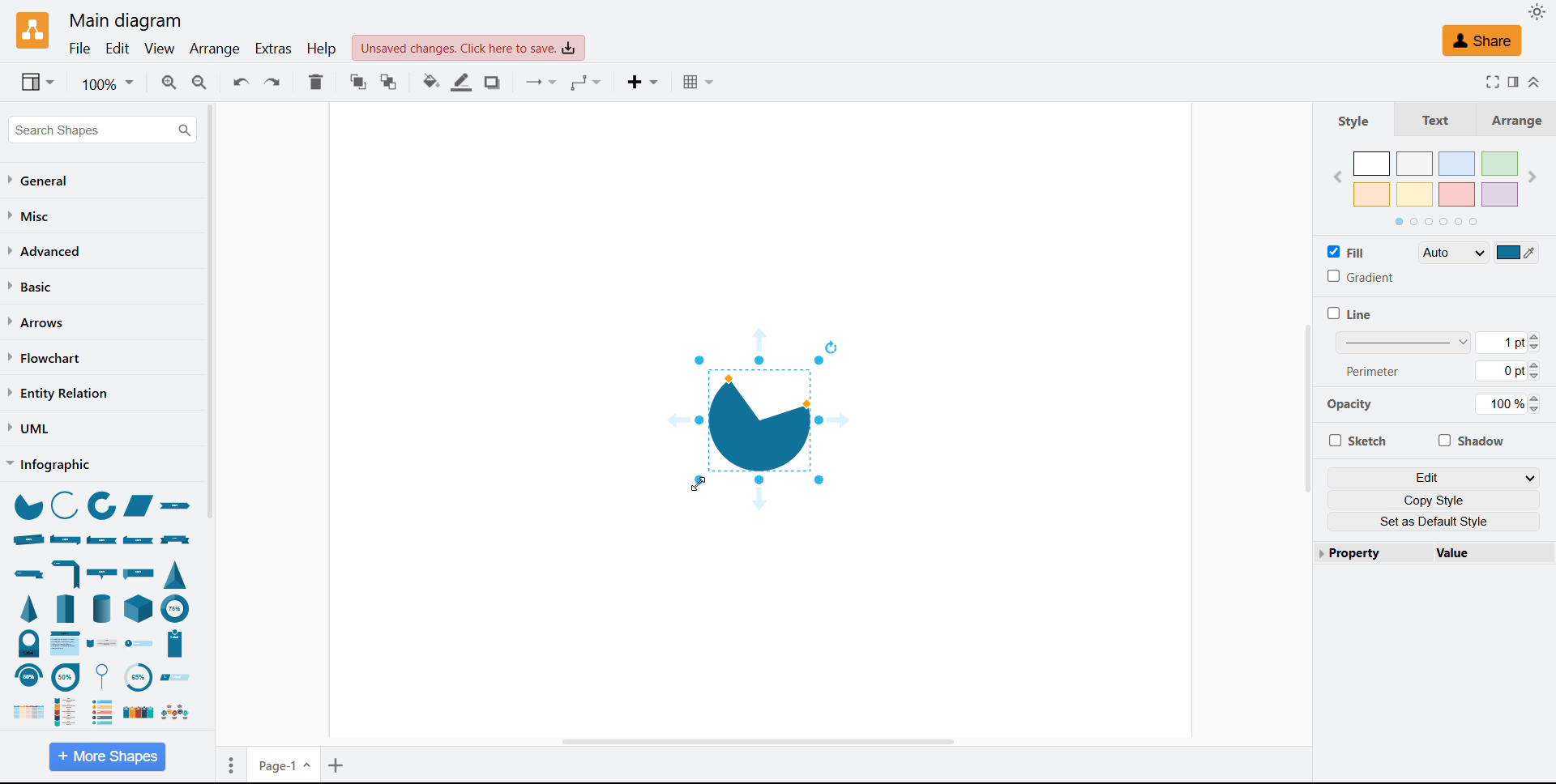 The width and height of the screenshot is (1556, 784). Describe the element at coordinates (1507, 371) in the screenshot. I see `Set line perimeter ` at that location.